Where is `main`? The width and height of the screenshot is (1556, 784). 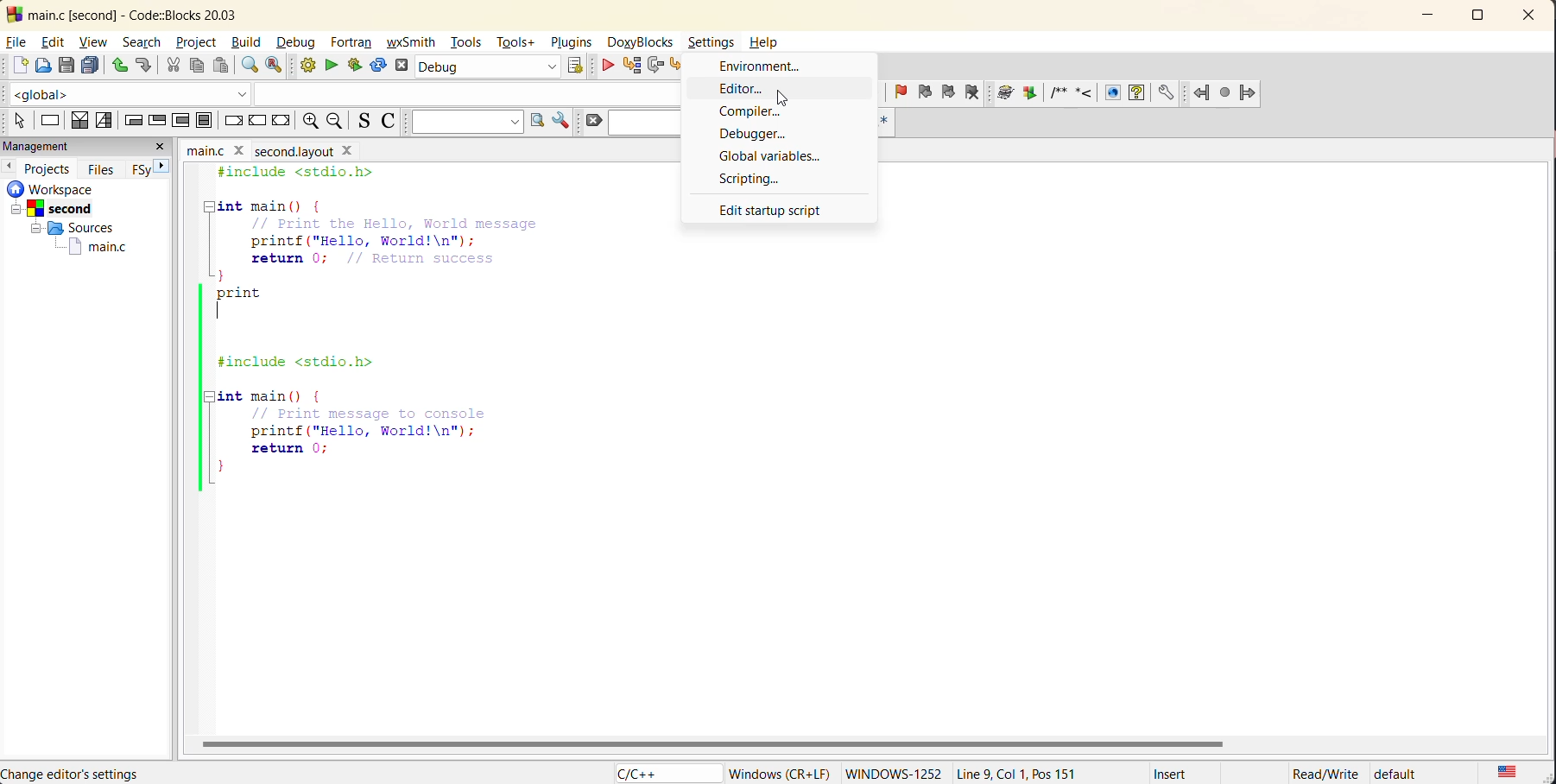 main is located at coordinates (201, 149).